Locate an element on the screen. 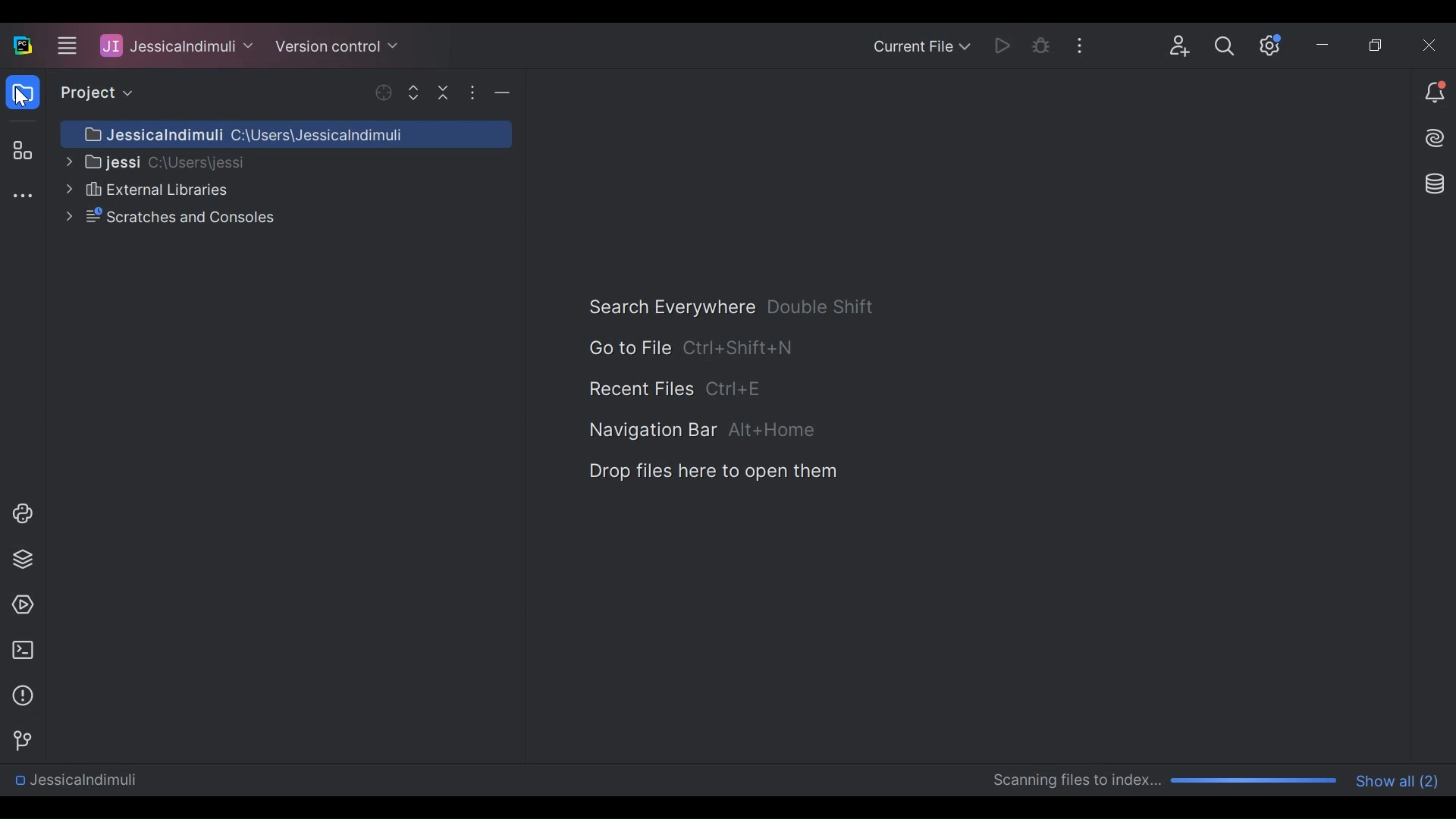 The width and height of the screenshot is (1456, 819). Scanning progress is located at coordinates (1168, 780).